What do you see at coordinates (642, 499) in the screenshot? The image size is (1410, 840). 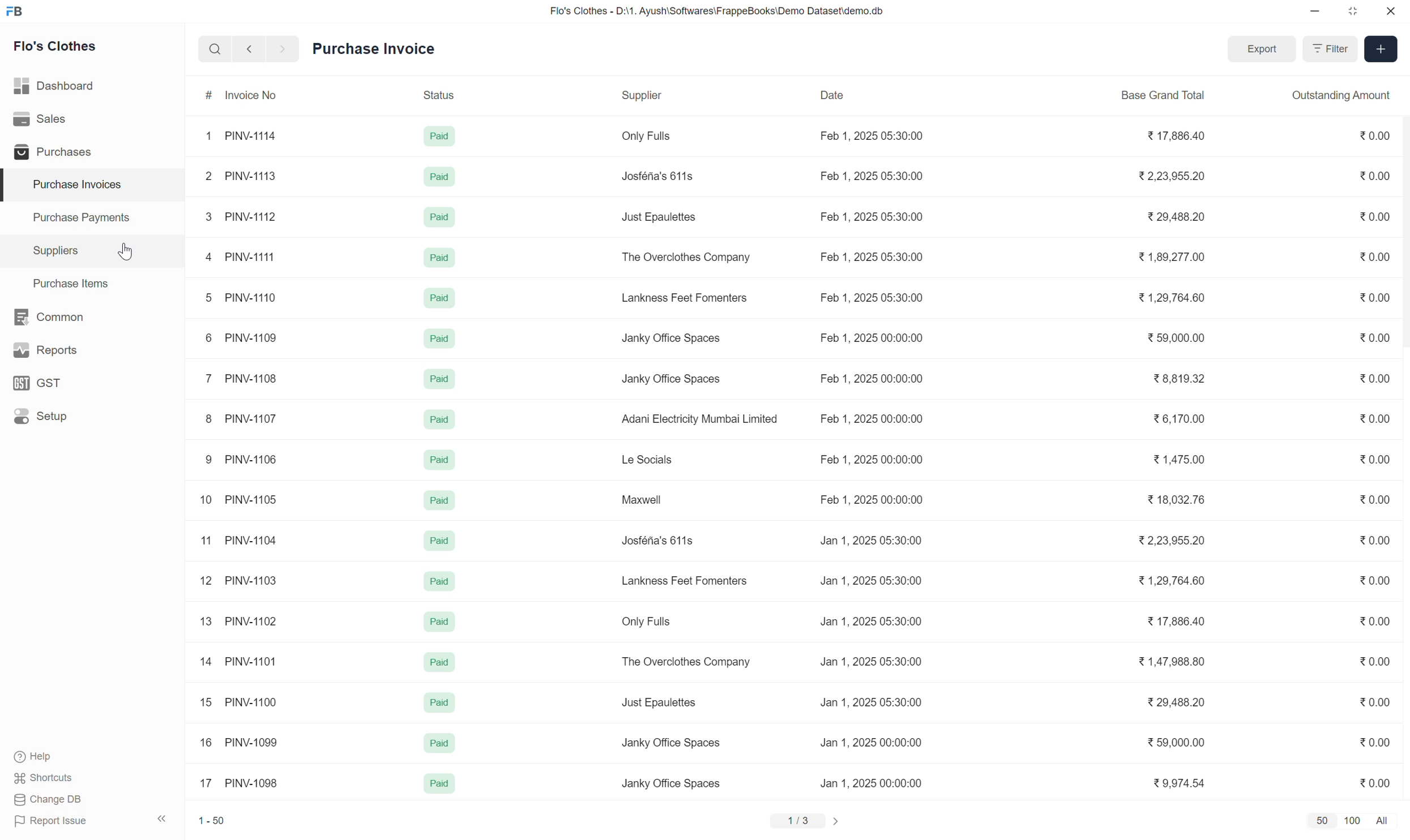 I see `Maxwell` at bounding box center [642, 499].